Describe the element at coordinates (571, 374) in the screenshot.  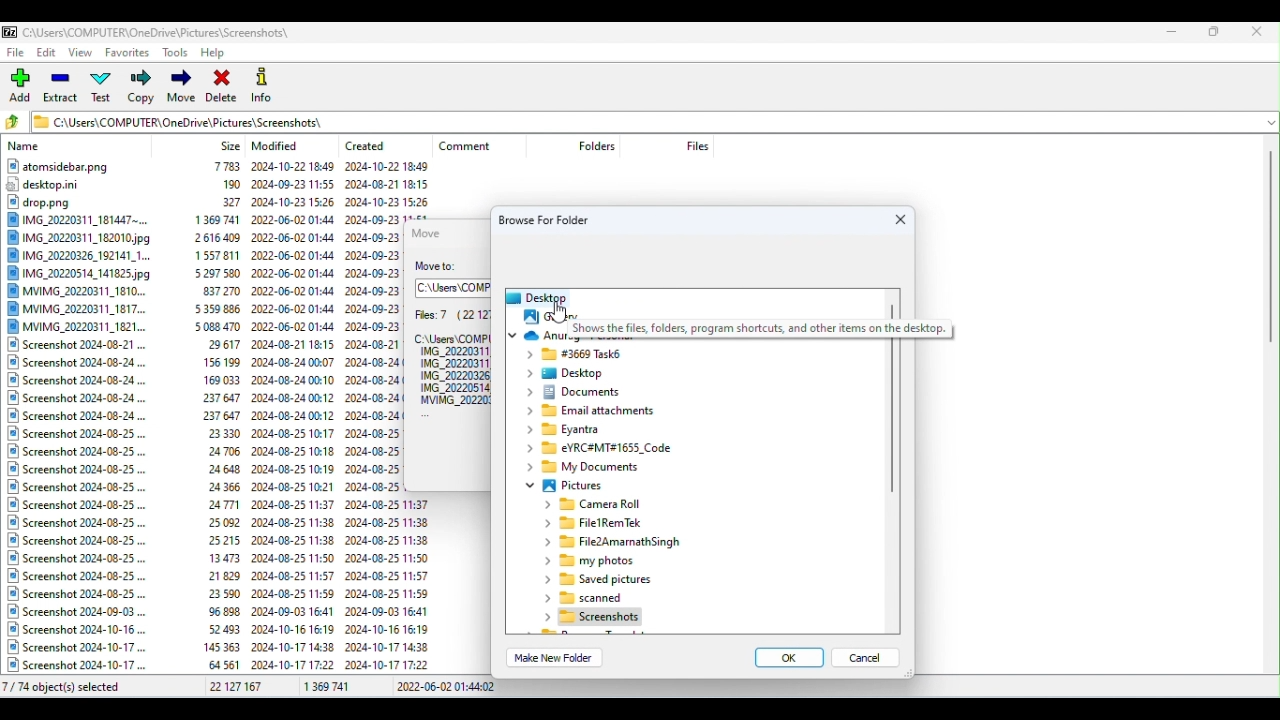
I see `Dekstop` at that location.